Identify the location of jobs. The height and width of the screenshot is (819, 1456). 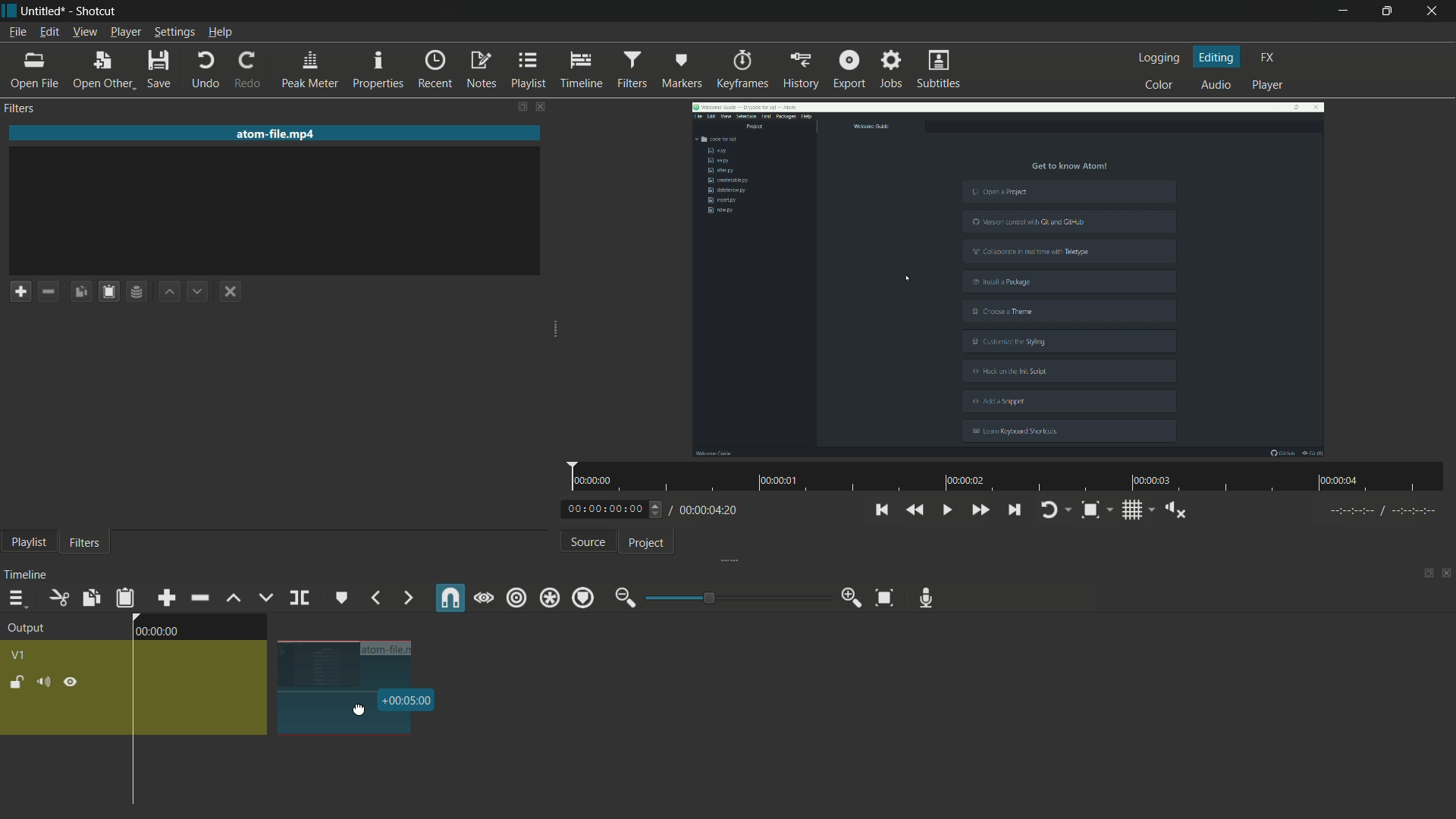
(891, 71).